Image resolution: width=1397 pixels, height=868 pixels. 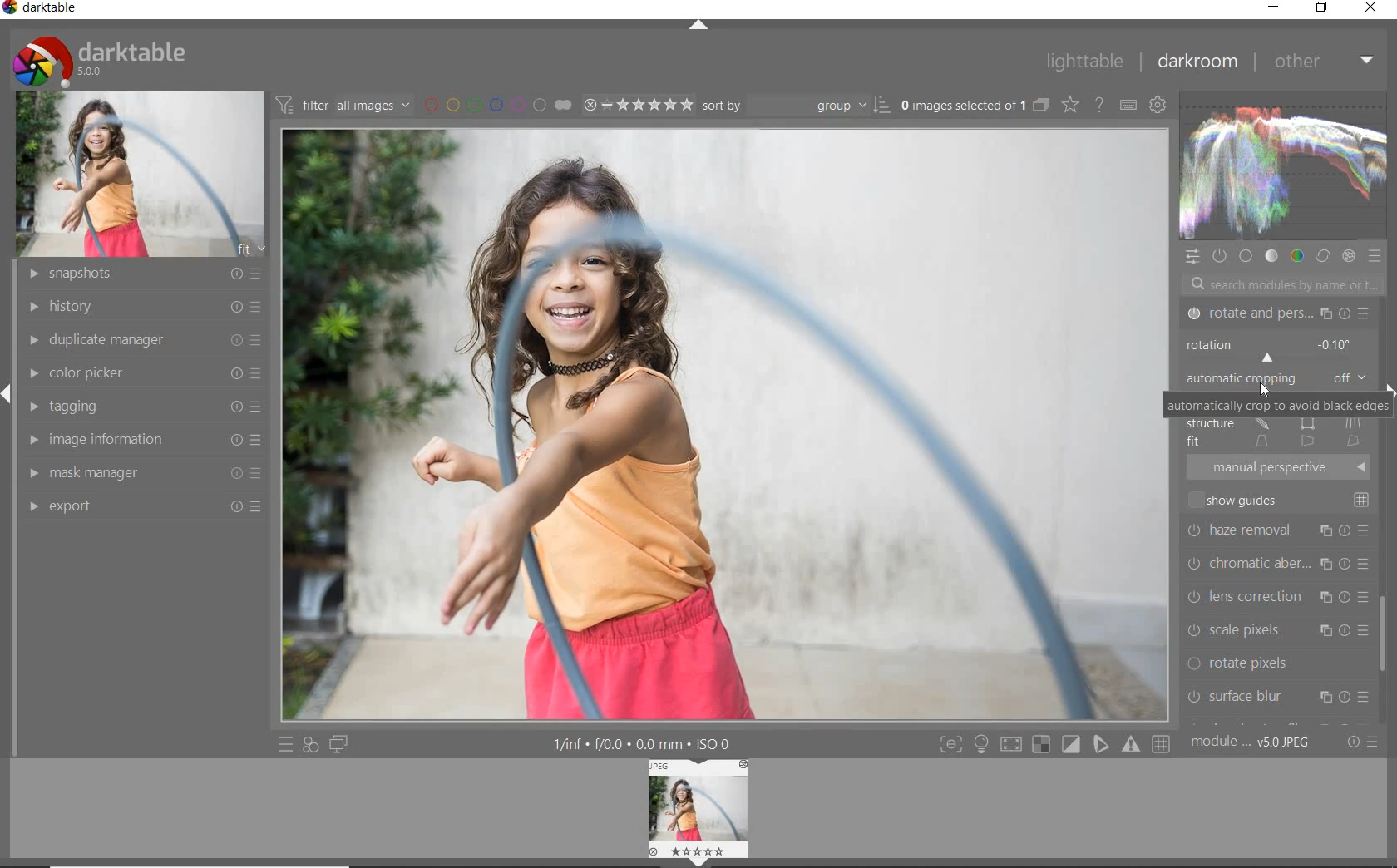 I want to click on image, so click(x=140, y=175).